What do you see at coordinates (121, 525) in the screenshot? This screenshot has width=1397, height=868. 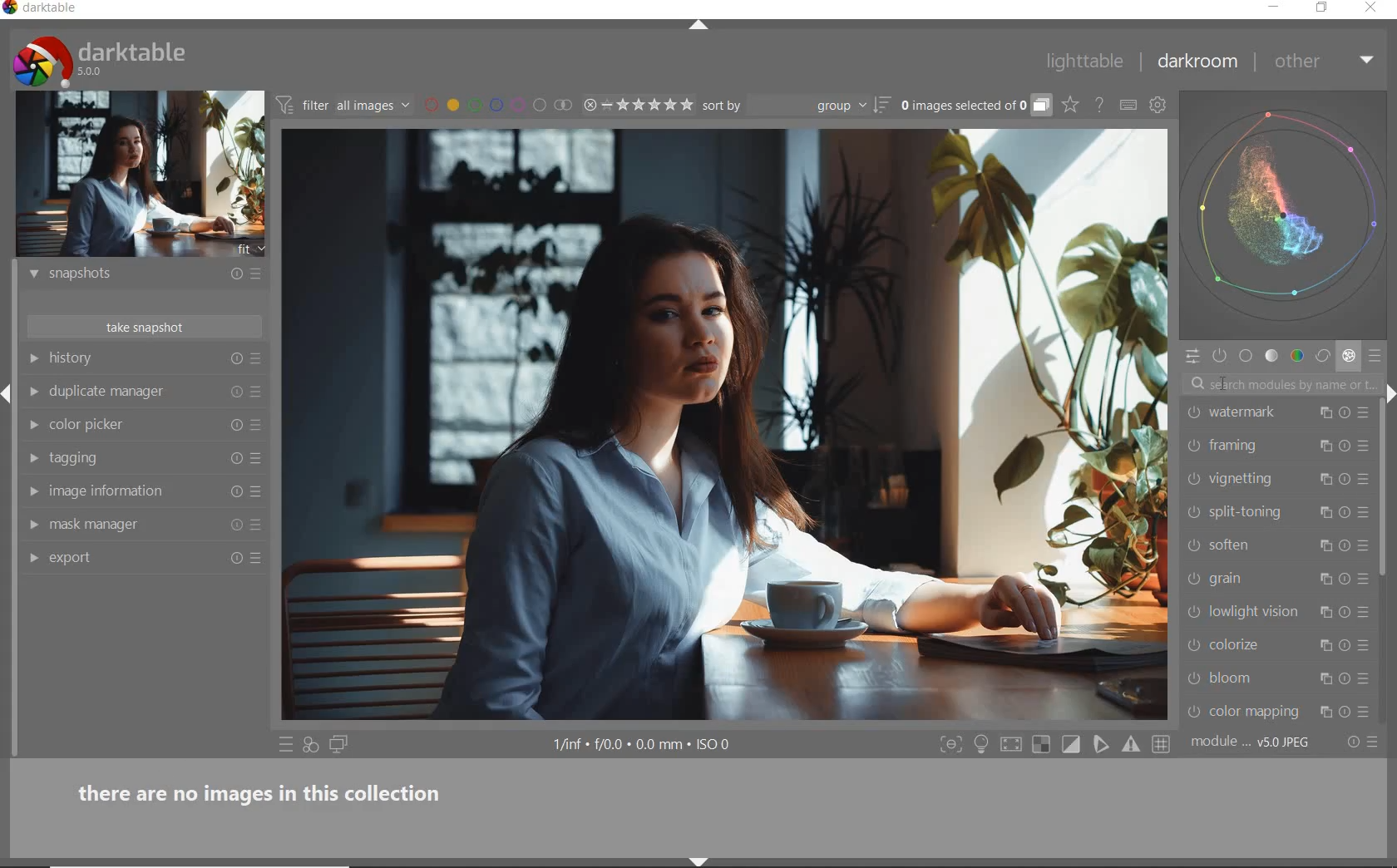 I see `mask manager` at bounding box center [121, 525].